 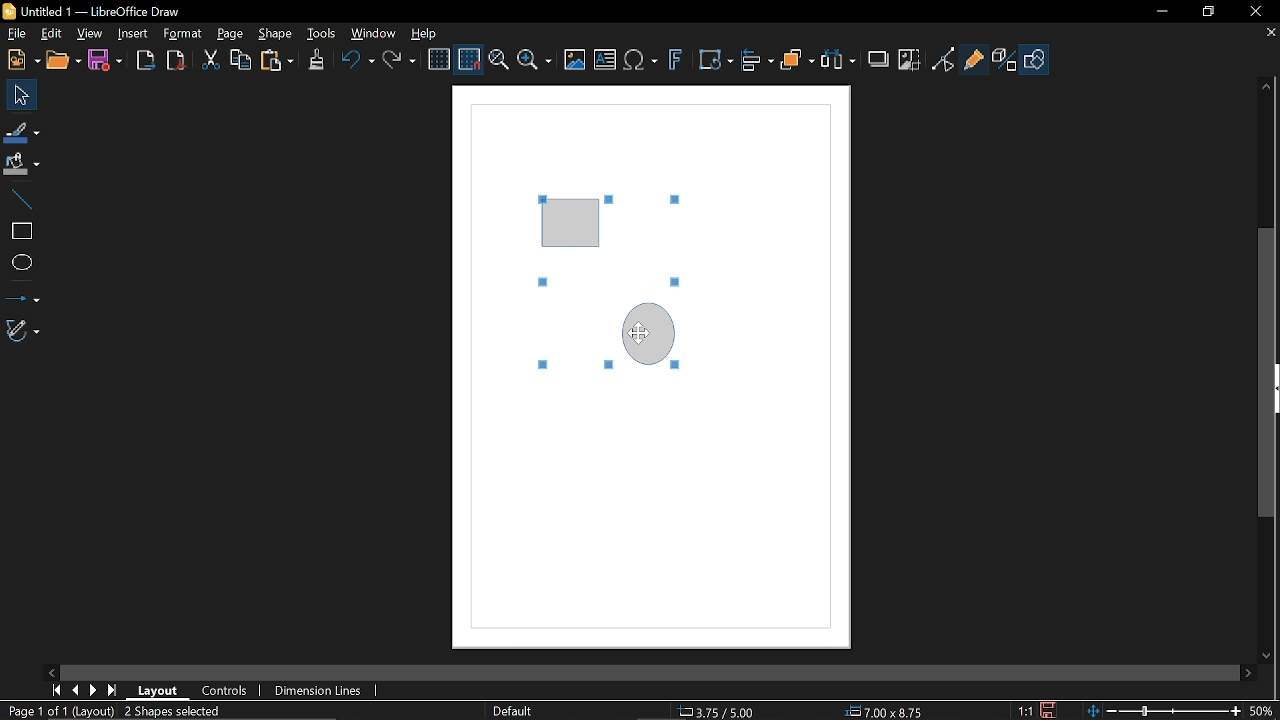 I want to click on Save as pdf, so click(x=175, y=60).